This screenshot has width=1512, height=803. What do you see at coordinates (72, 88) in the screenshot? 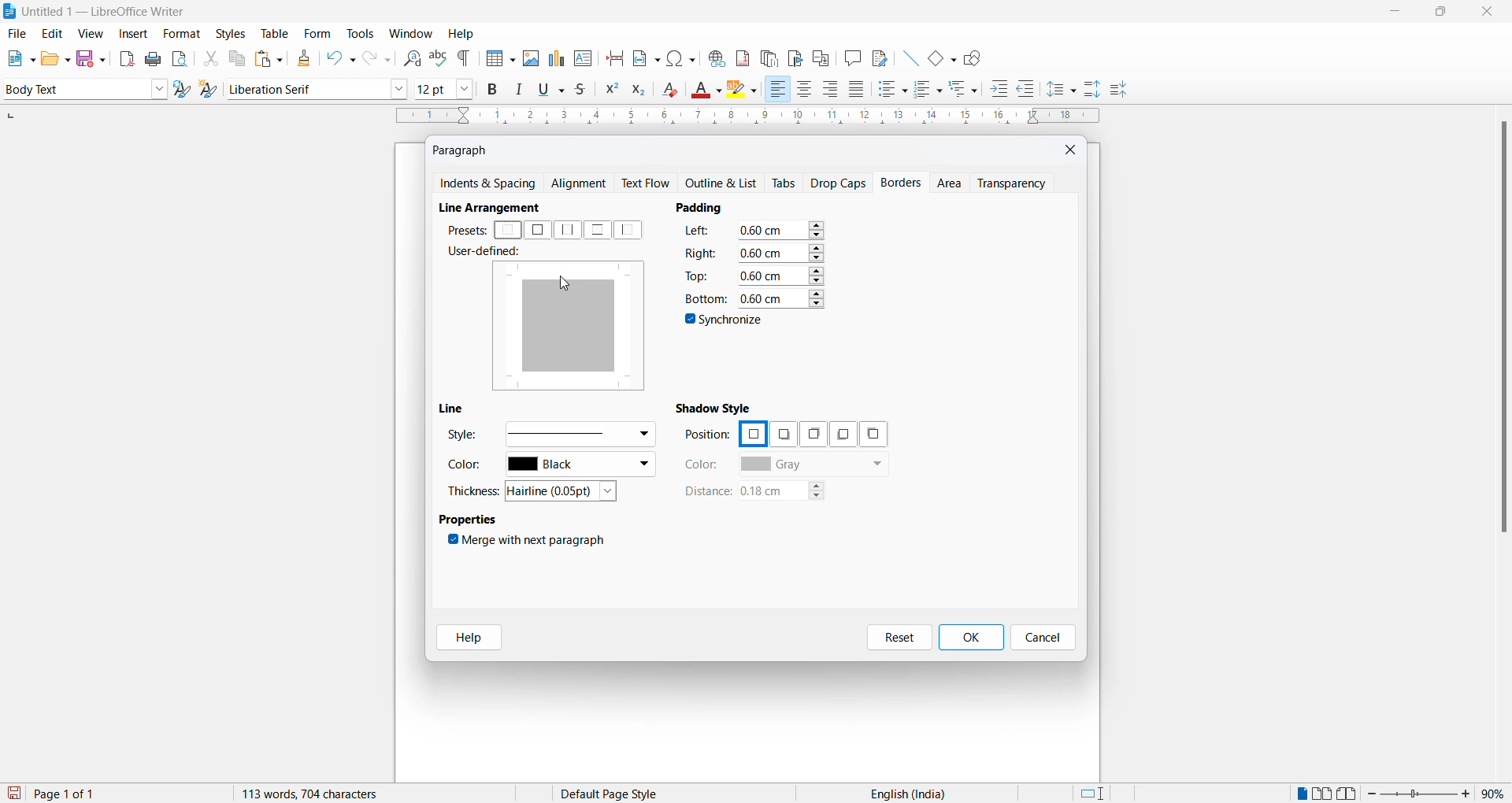
I see `style` at bounding box center [72, 88].